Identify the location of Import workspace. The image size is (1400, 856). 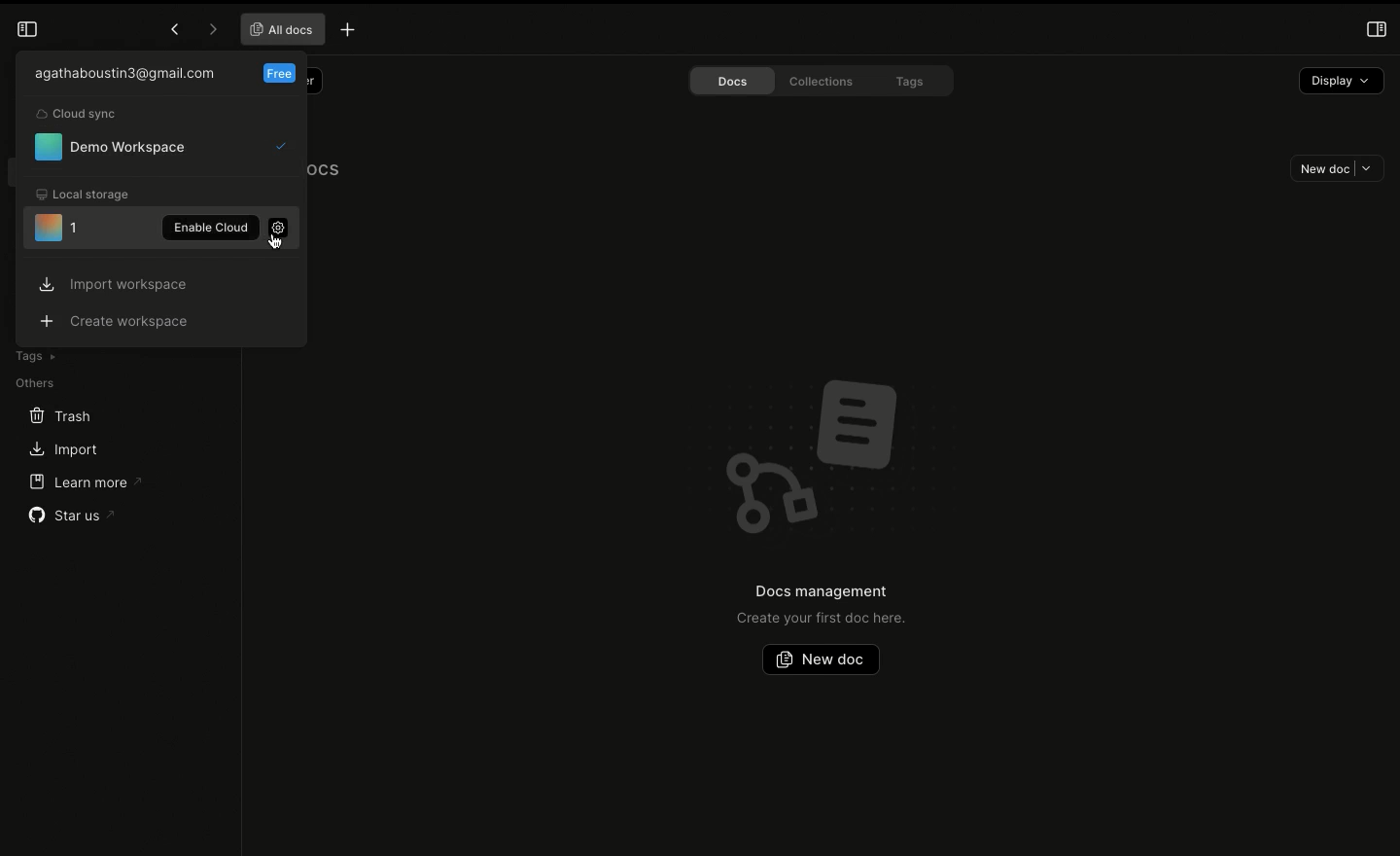
(113, 287).